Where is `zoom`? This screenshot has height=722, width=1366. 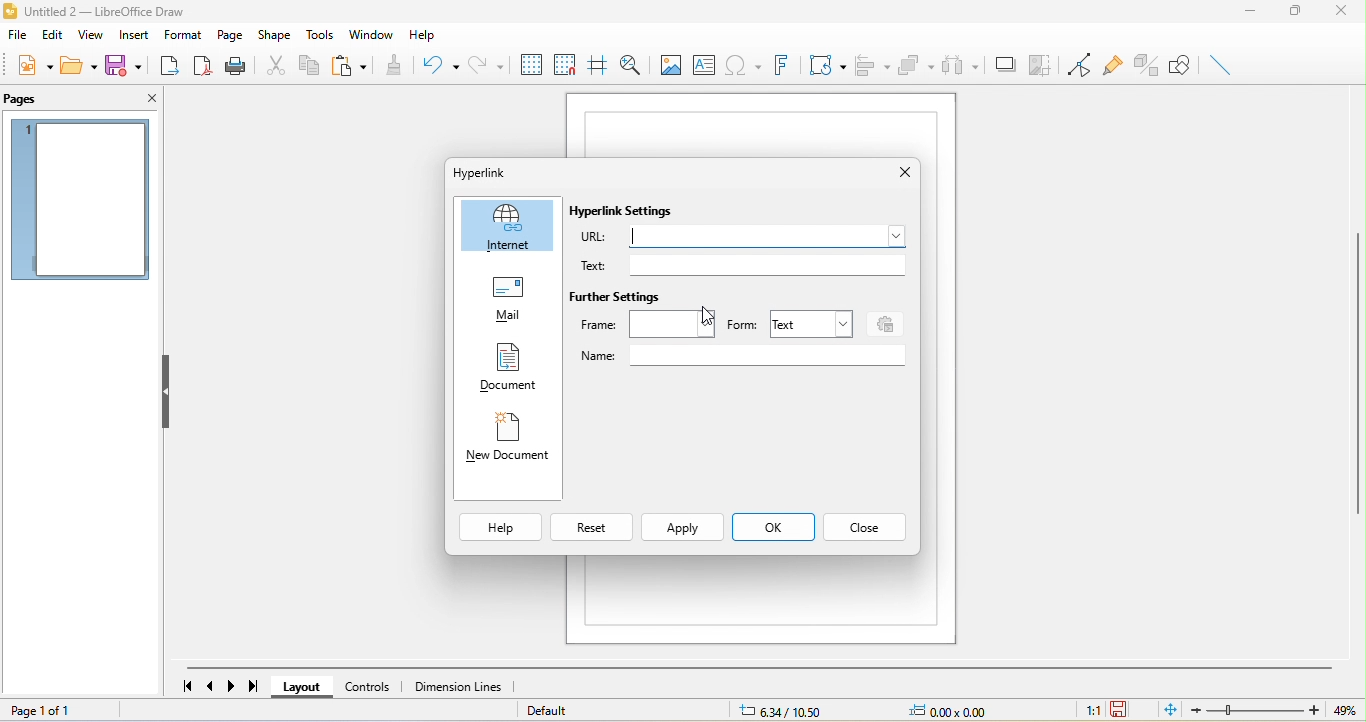
zoom is located at coordinates (1258, 710).